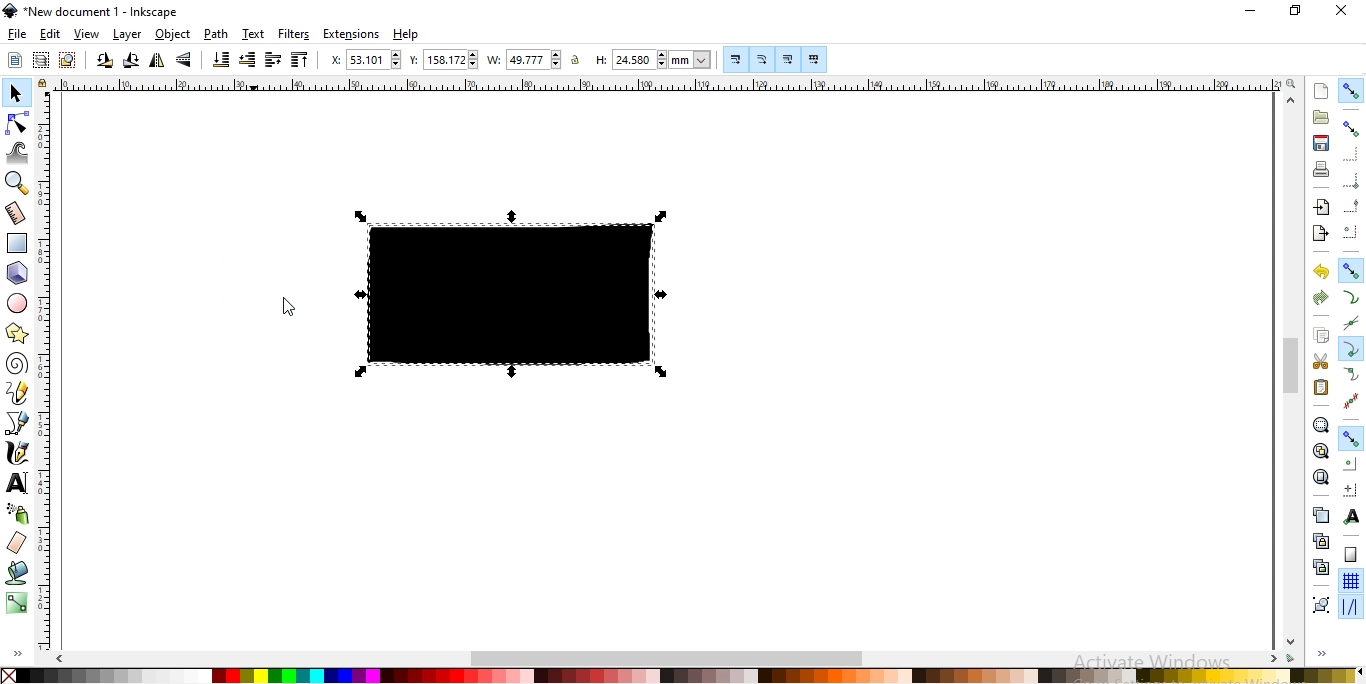  What do you see at coordinates (20, 393) in the screenshot?
I see `draw freehand lines` at bounding box center [20, 393].